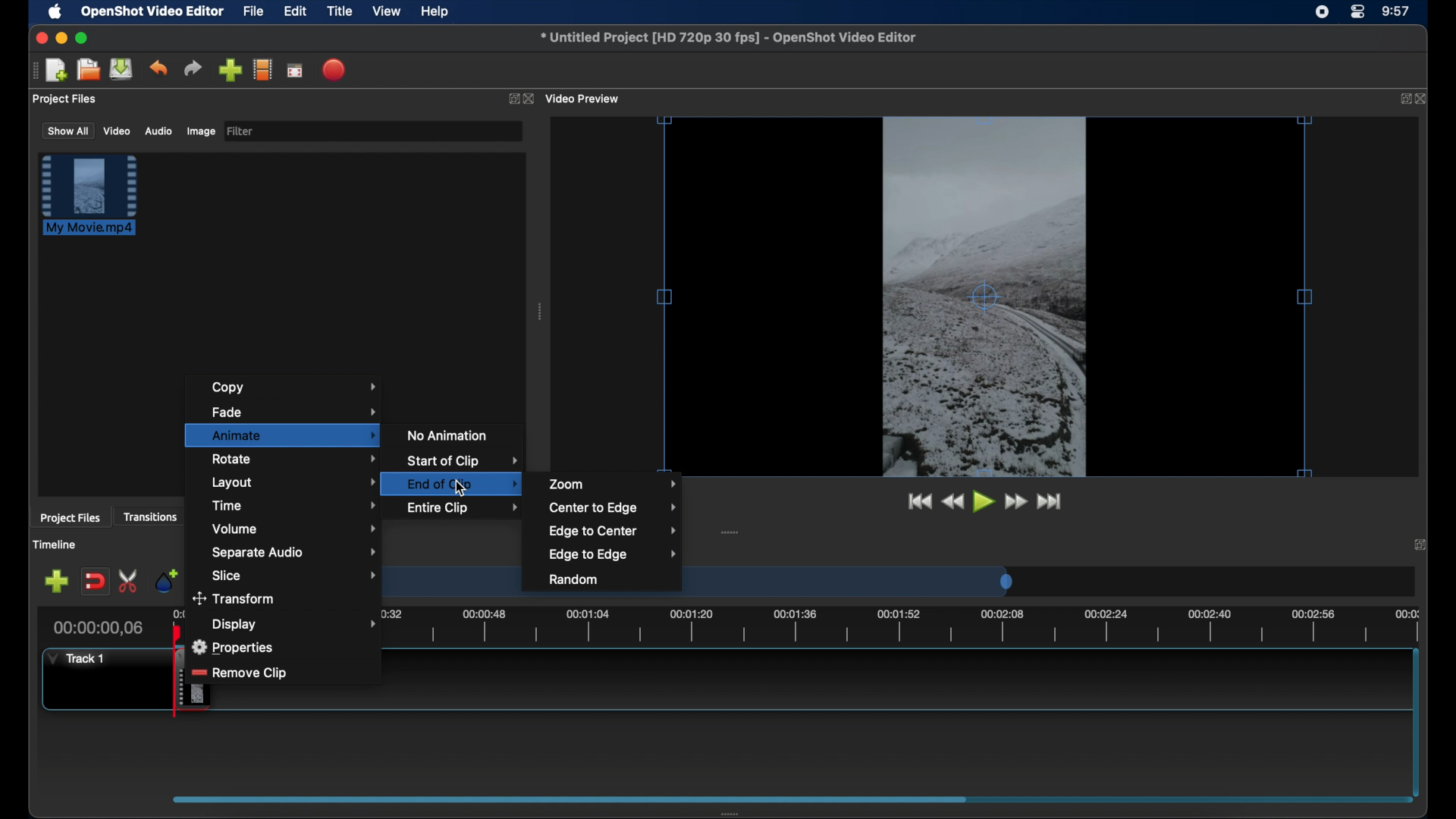 The image size is (1456, 819). Describe the element at coordinates (295, 12) in the screenshot. I see `edit` at that location.